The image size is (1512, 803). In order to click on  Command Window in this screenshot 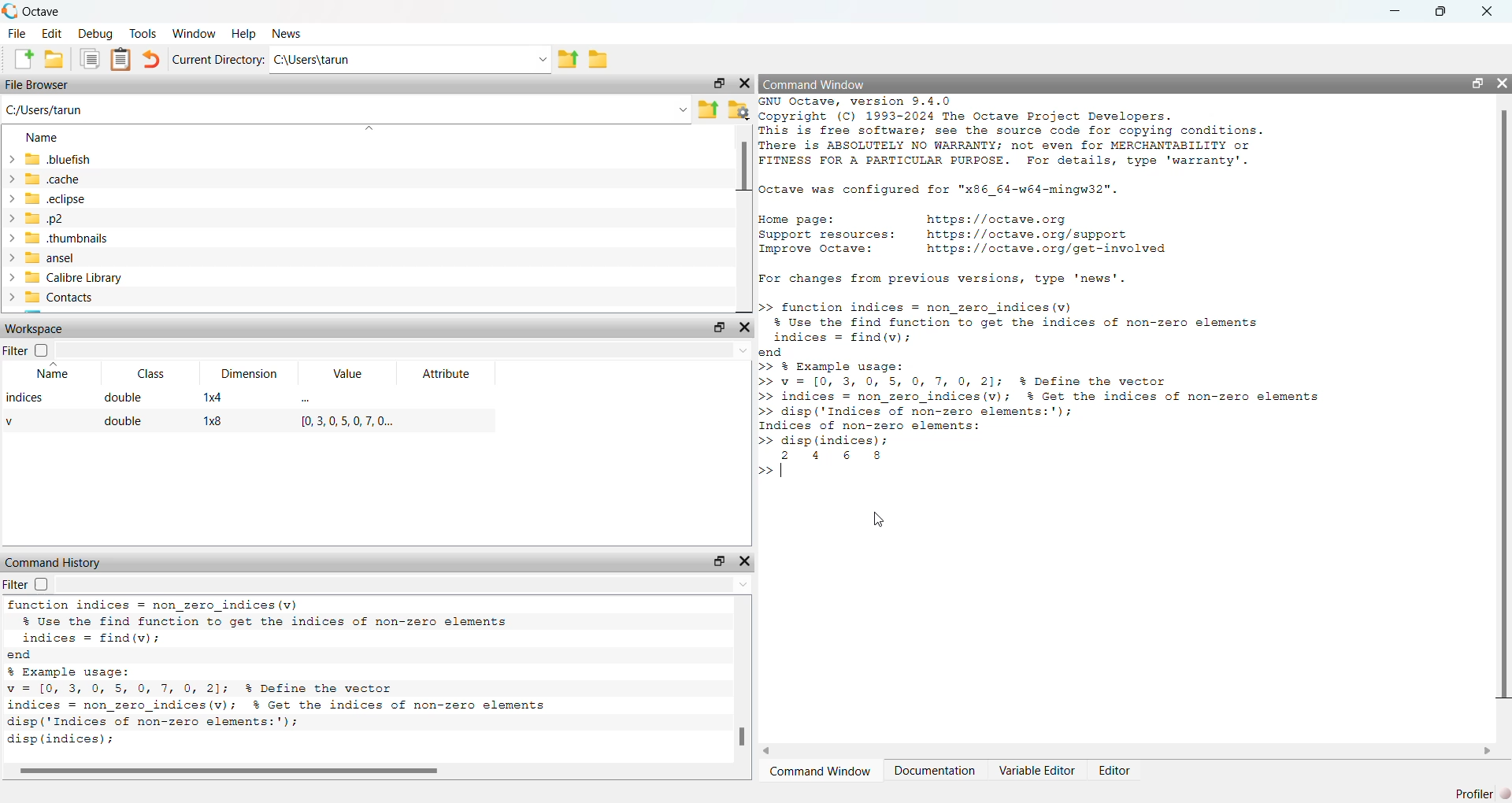, I will do `click(815, 85)`.